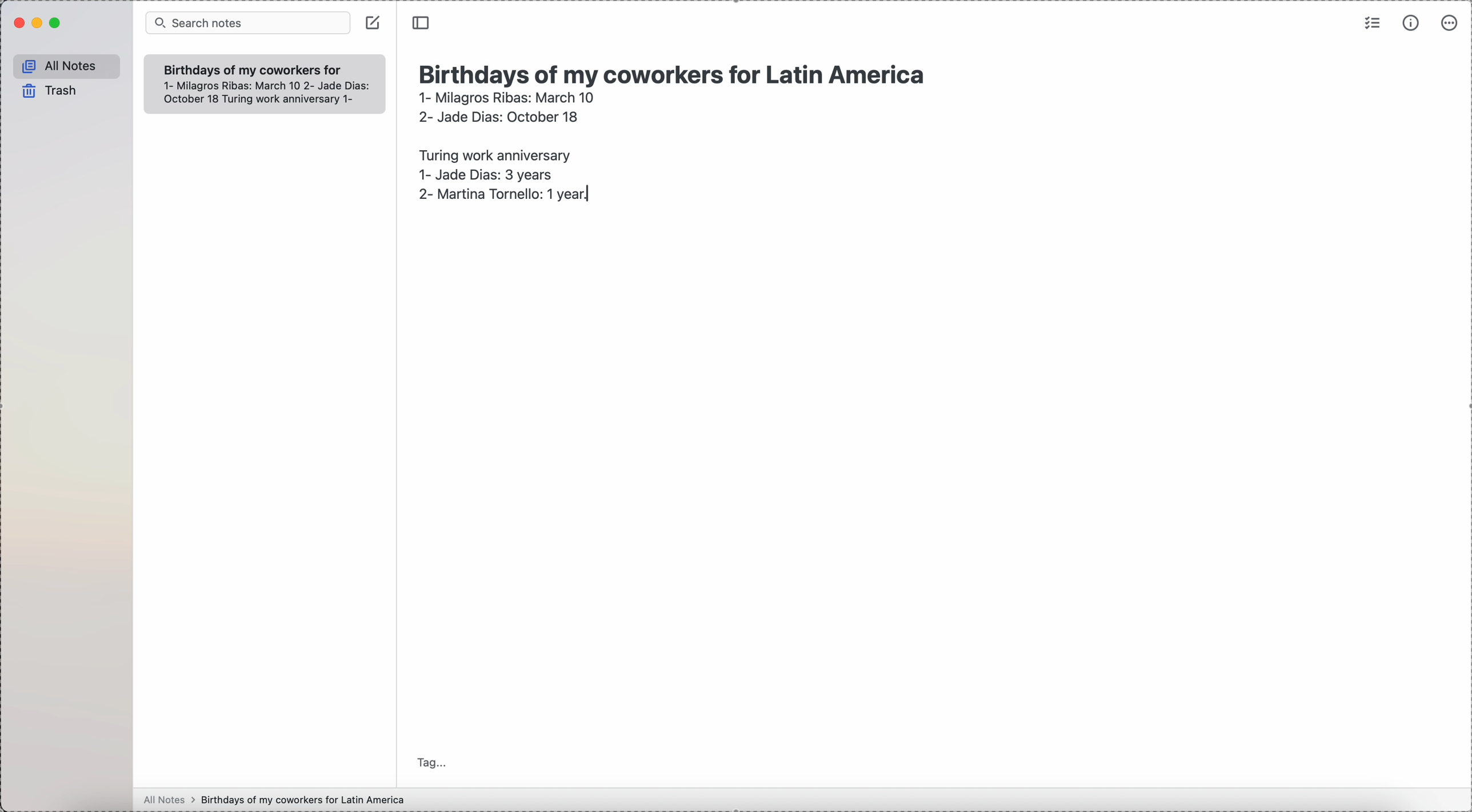  Describe the element at coordinates (1371, 22) in the screenshot. I see `check list` at that location.